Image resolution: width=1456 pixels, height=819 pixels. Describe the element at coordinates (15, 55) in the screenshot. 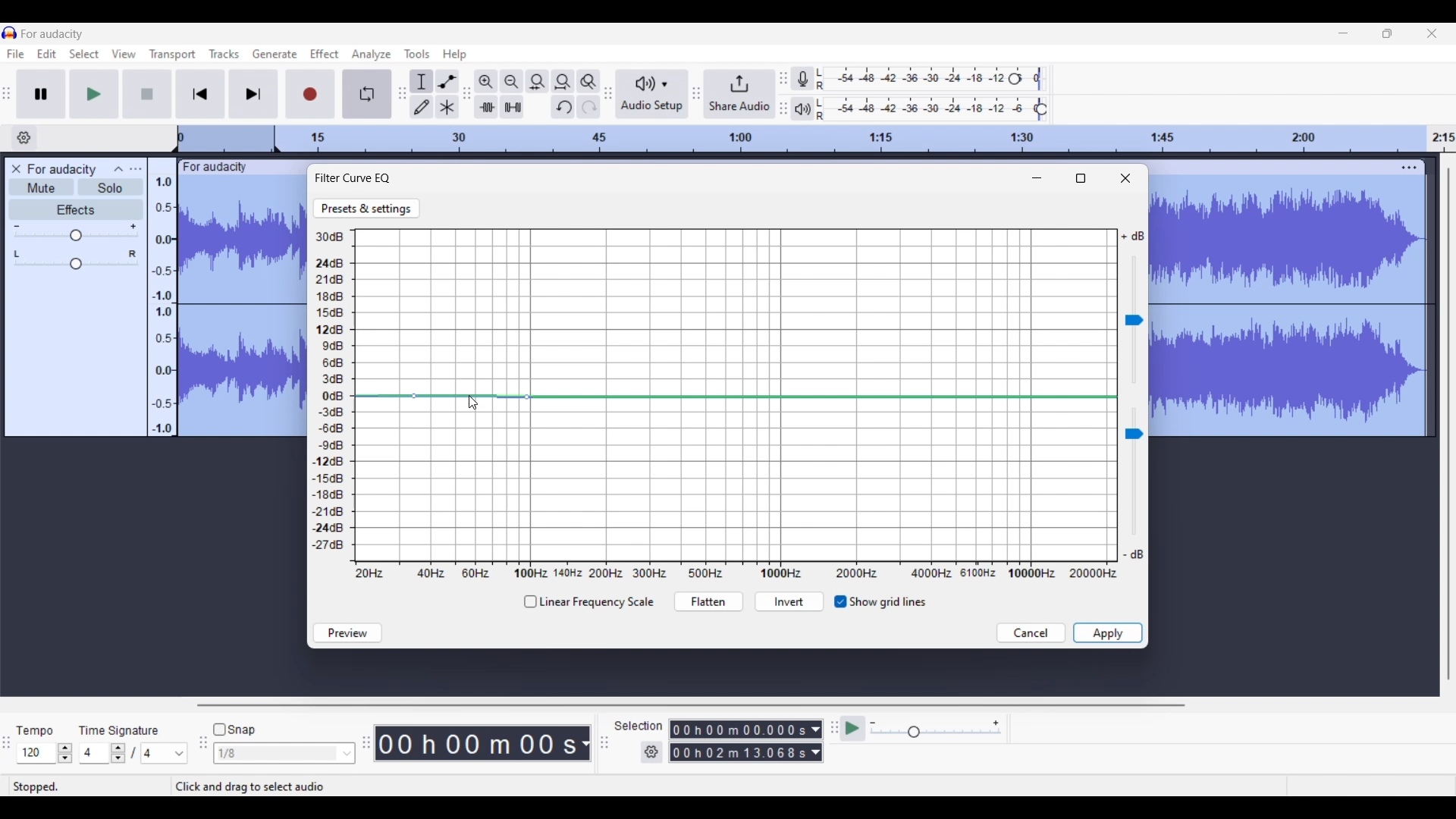

I see `File menu` at that location.